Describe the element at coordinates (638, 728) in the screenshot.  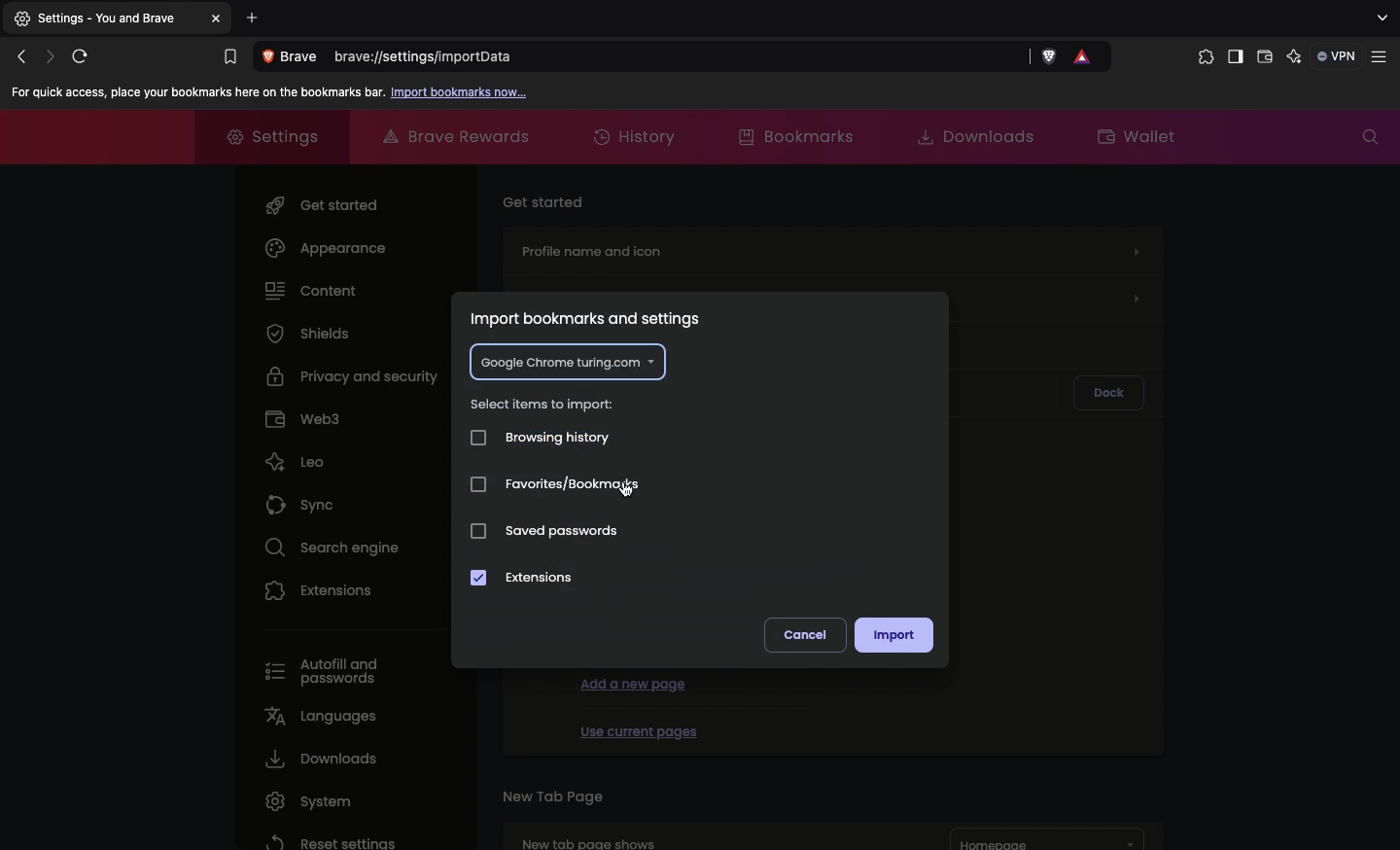
I see `Use current pages` at that location.